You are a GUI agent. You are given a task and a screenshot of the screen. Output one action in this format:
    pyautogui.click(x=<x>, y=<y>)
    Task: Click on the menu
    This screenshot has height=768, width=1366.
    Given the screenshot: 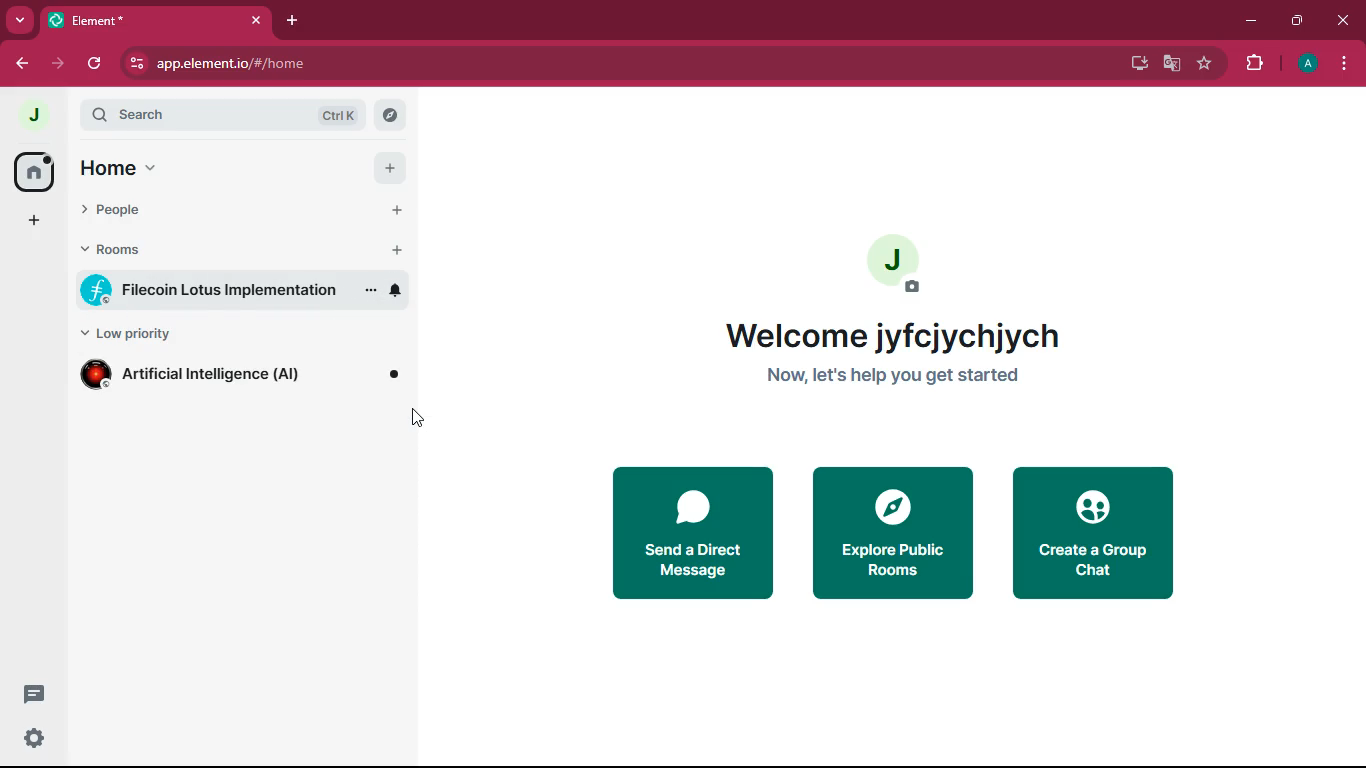 What is the action you would take?
    pyautogui.click(x=1346, y=64)
    